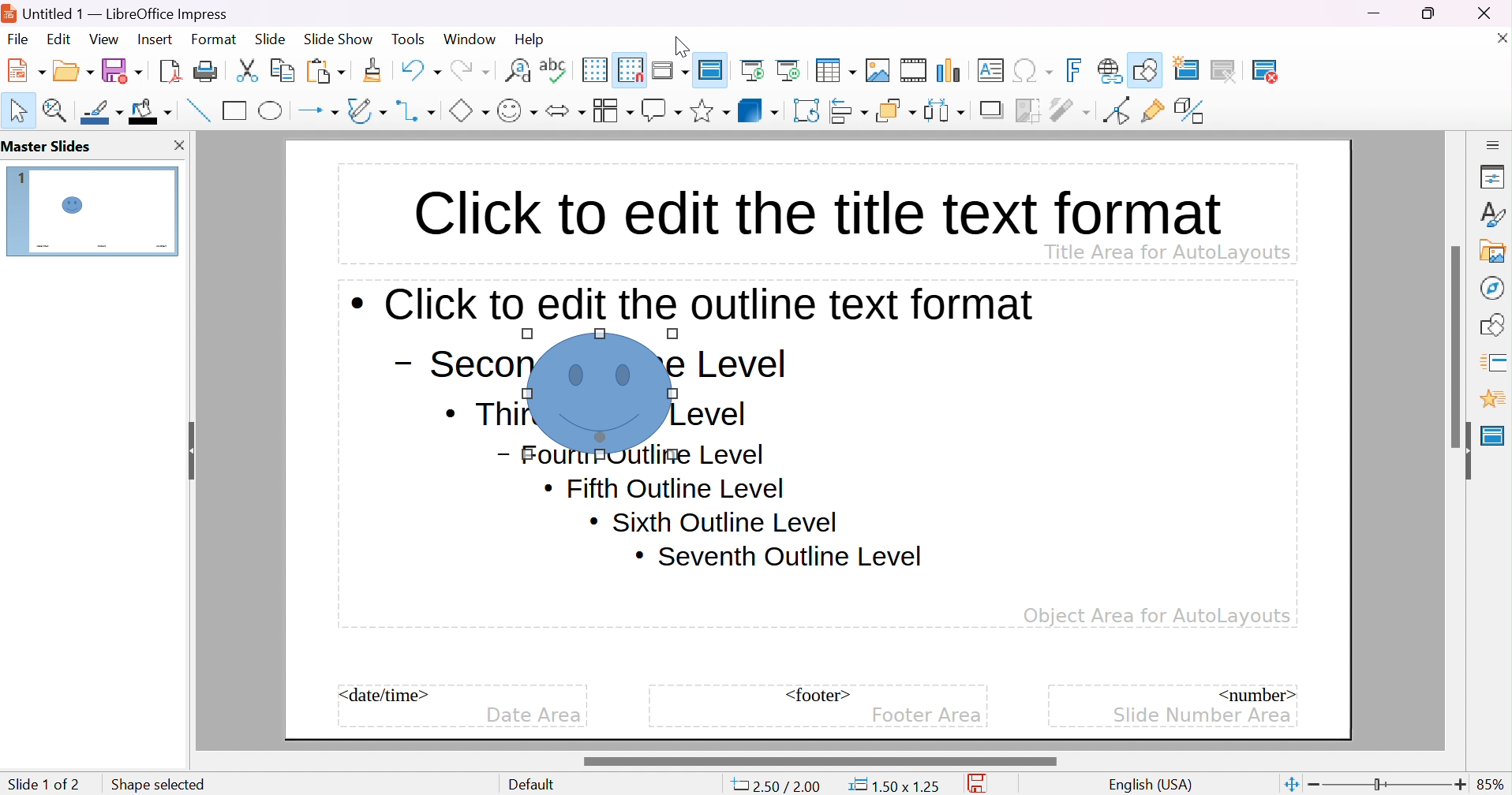 The height and width of the screenshot is (795, 1512). Describe the element at coordinates (1157, 616) in the screenshot. I see `object area for autolayouts` at that location.